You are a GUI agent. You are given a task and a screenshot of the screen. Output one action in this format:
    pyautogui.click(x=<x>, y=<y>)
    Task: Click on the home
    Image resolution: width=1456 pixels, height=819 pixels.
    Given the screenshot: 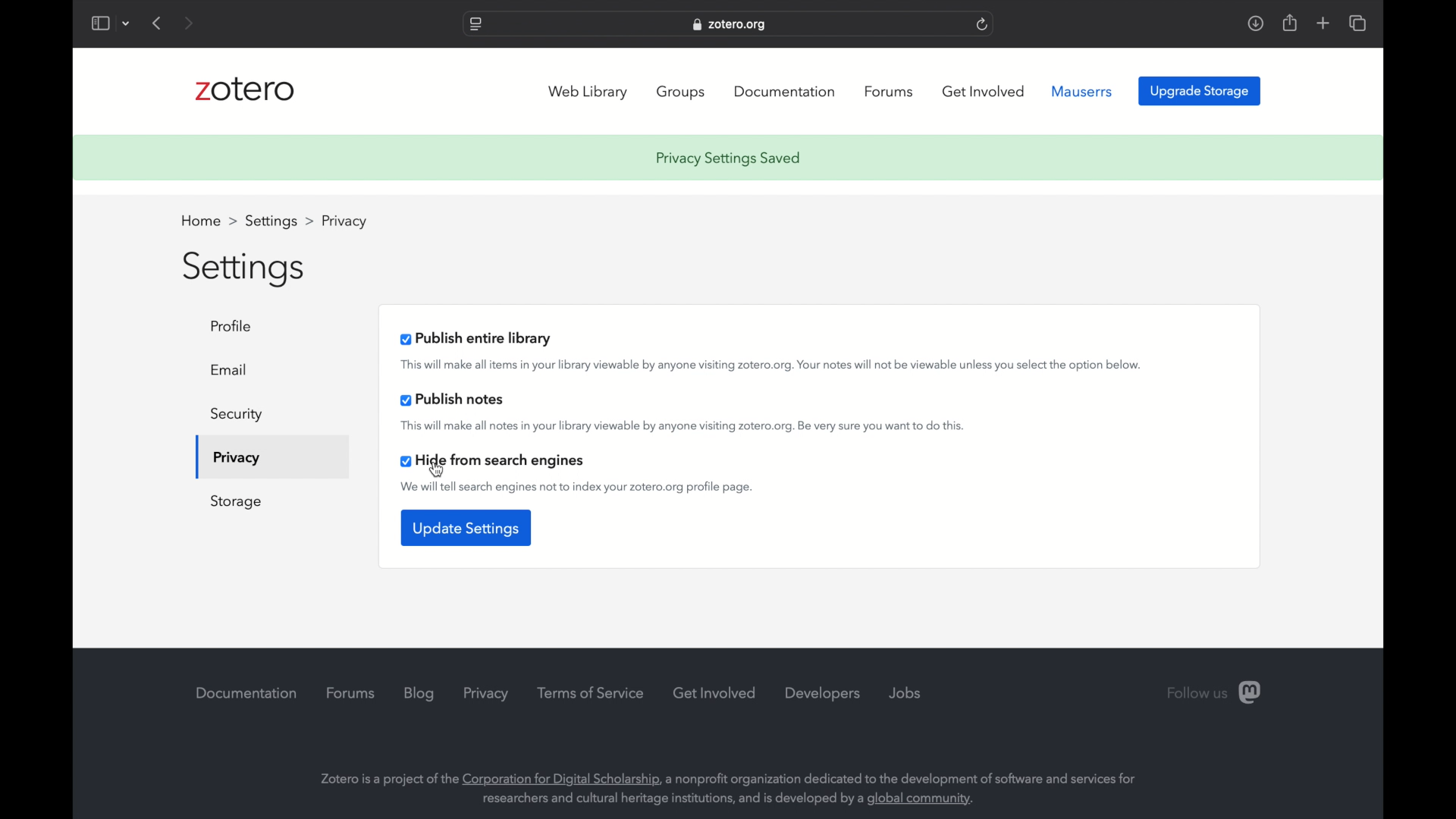 What is the action you would take?
    pyautogui.click(x=208, y=221)
    